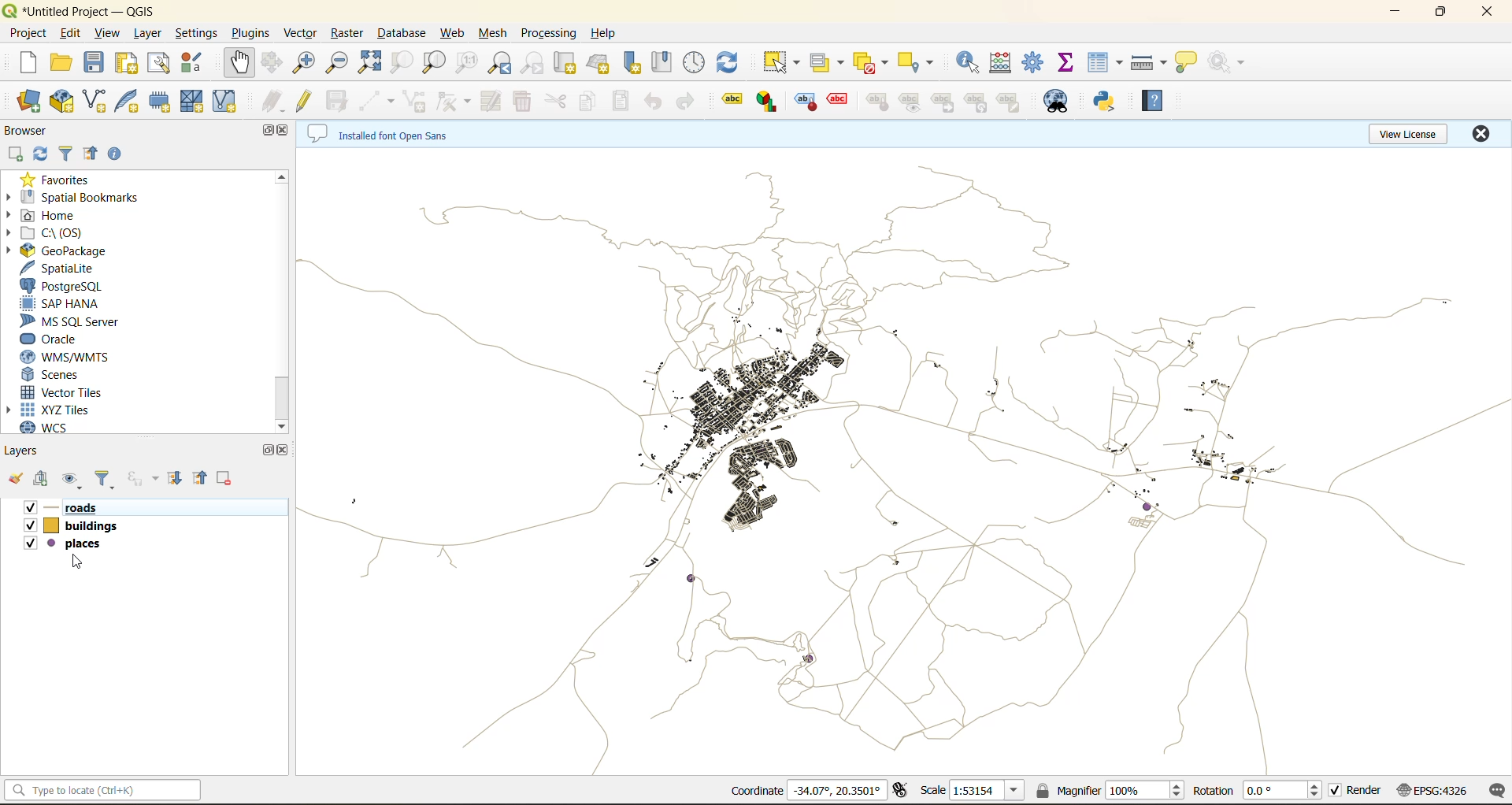 The width and height of the screenshot is (1512, 805). Describe the element at coordinates (1036, 64) in the screenshot. I see `toolbox` at that location.